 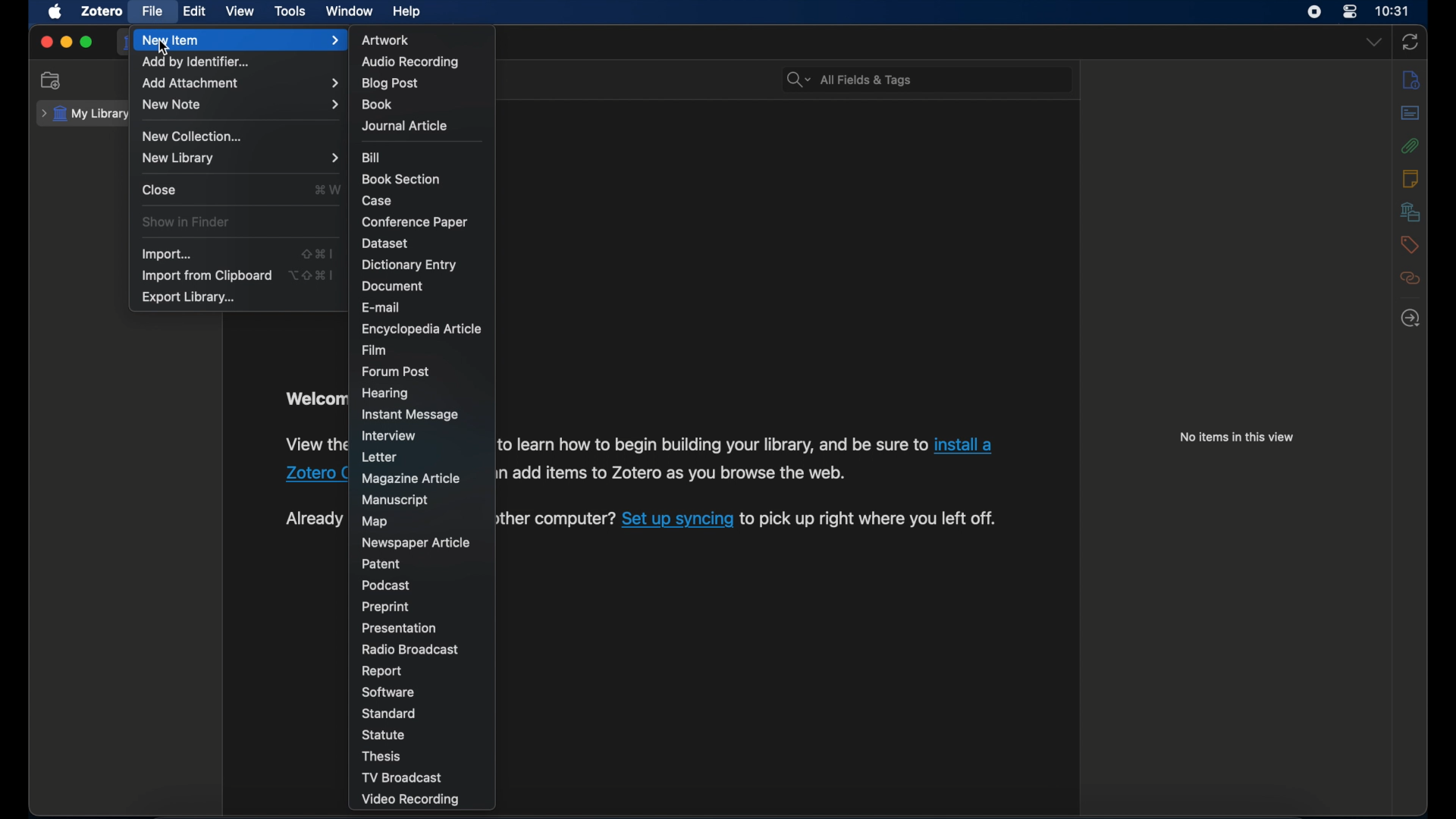 I want to click on magazine article, so click(x=411, y=479).